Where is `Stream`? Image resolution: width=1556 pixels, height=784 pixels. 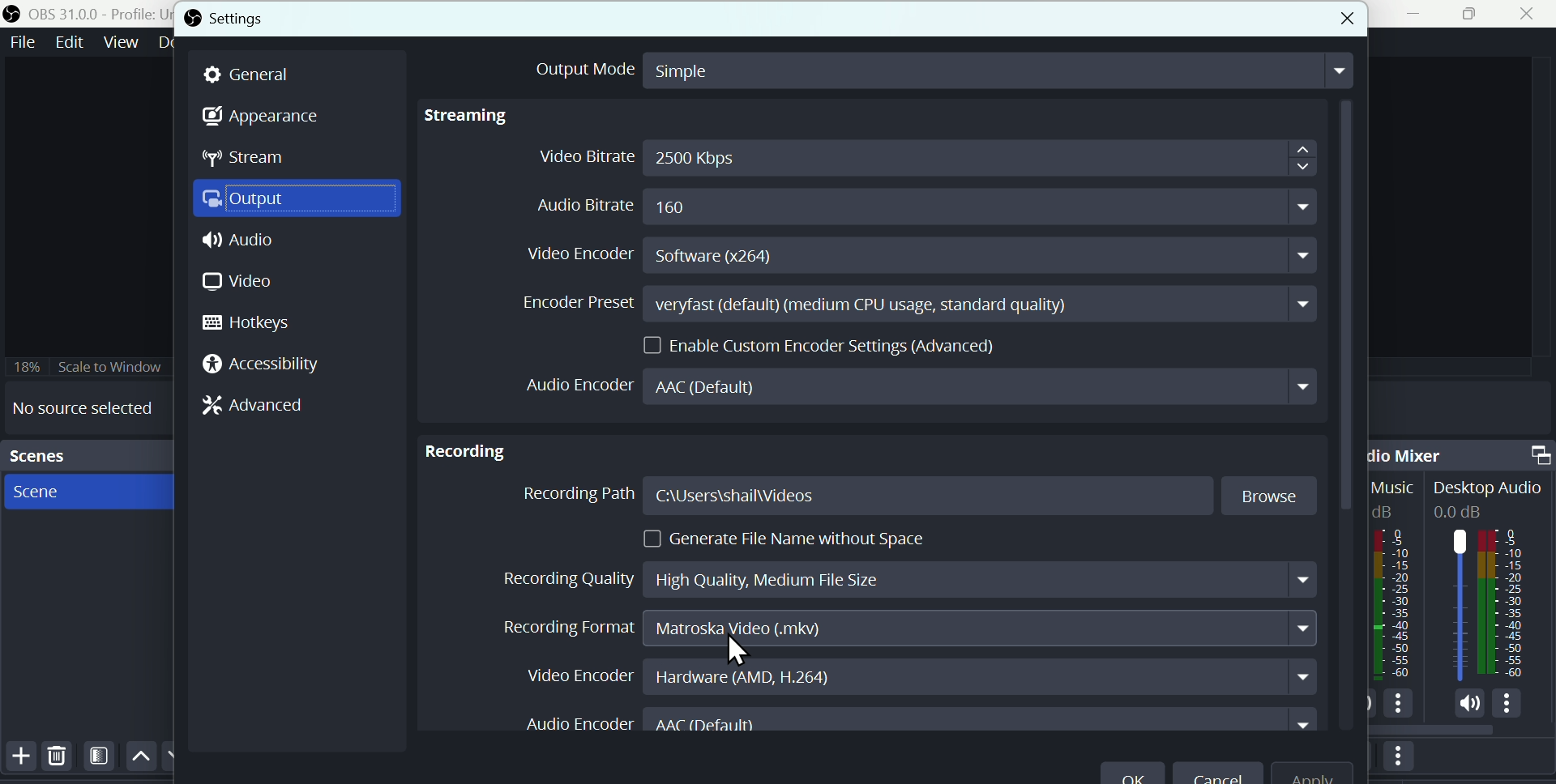
Stream is located at coordinates (253, 157).